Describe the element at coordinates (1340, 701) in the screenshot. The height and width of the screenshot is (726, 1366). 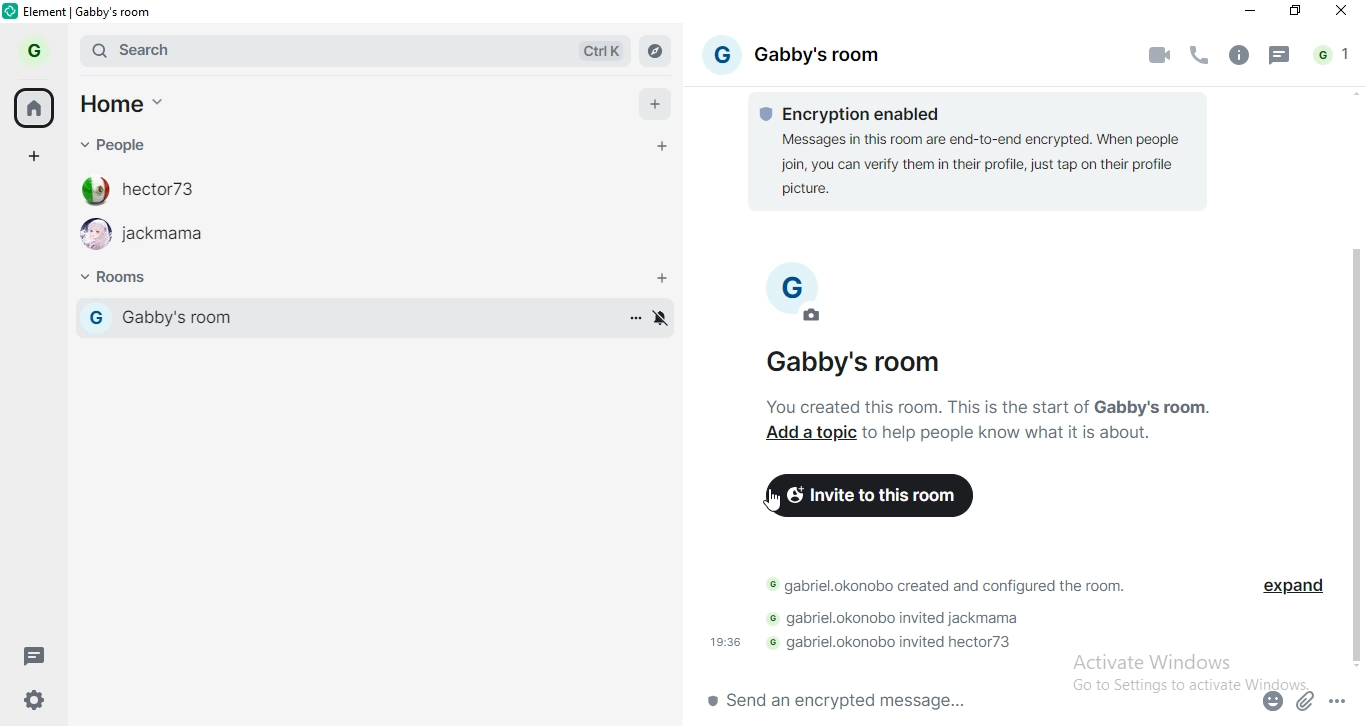
I see `options` at that location.